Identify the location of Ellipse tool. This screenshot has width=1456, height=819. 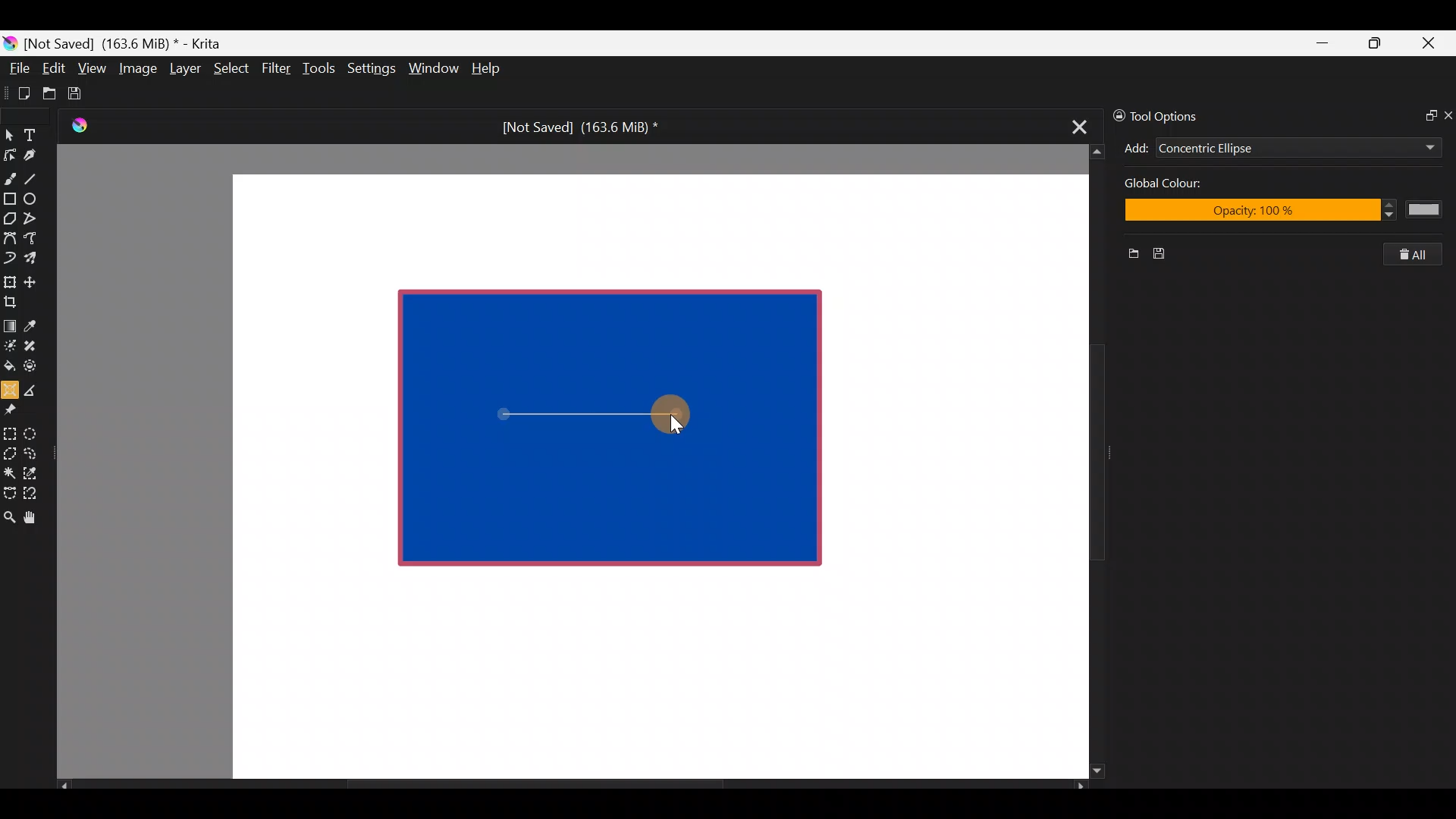
(37, 197).